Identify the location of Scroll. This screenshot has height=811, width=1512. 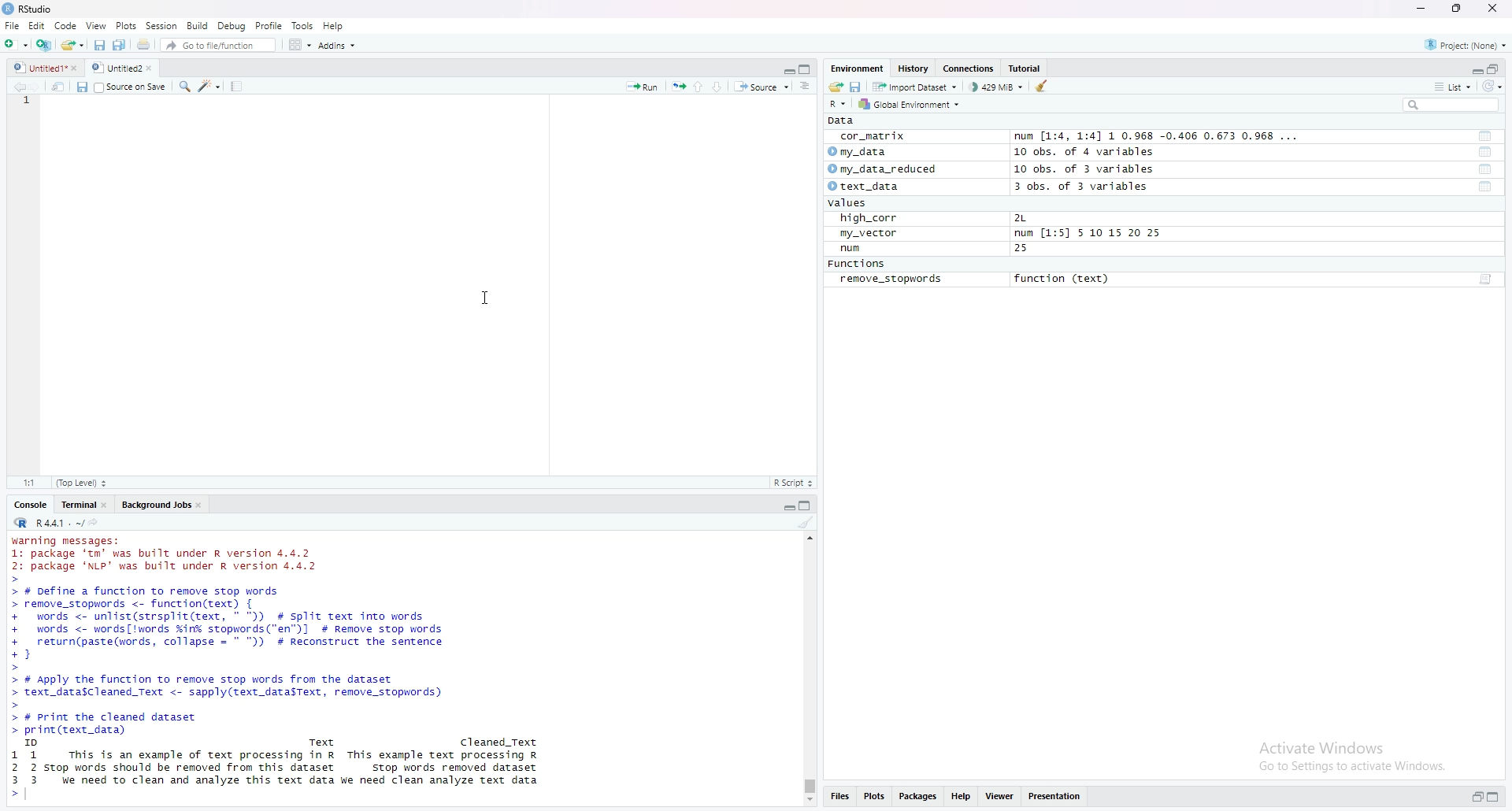
(809, 669).